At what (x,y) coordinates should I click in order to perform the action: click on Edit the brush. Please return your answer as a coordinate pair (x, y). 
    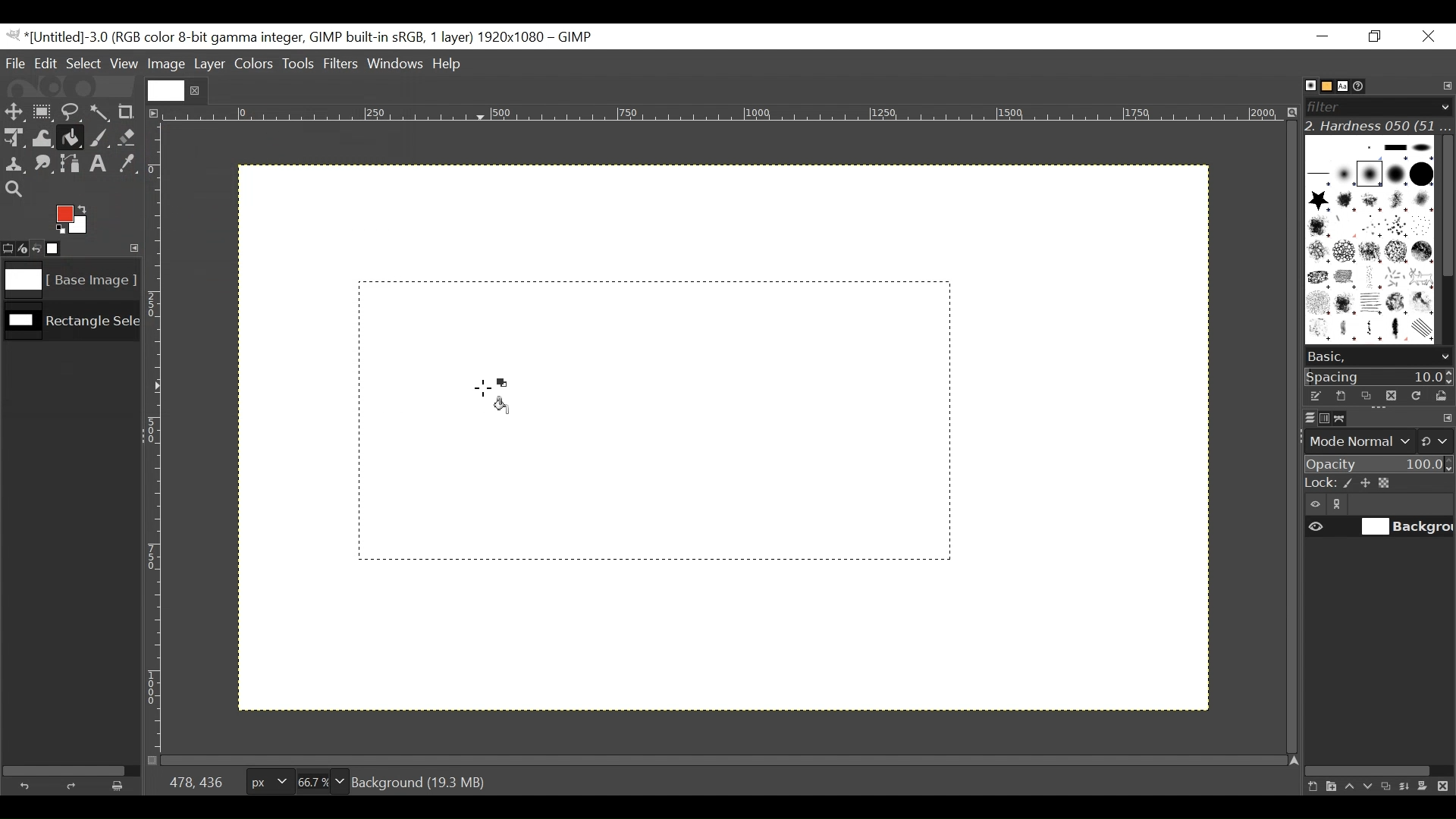
    Looking at the image, I should click on (1315, 396).